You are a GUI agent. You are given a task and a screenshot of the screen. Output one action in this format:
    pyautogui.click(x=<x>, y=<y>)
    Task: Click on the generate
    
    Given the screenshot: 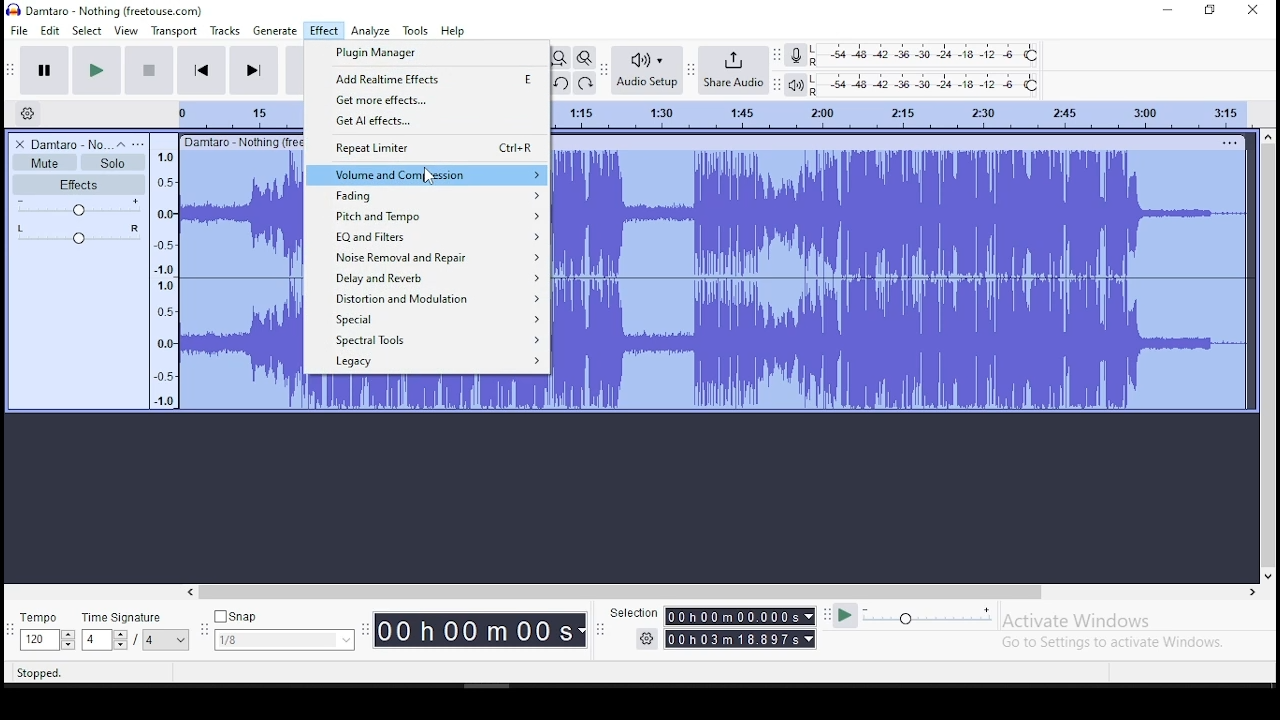 What is the action you would take?
    pyautogui.click(x=274, y=30)
    